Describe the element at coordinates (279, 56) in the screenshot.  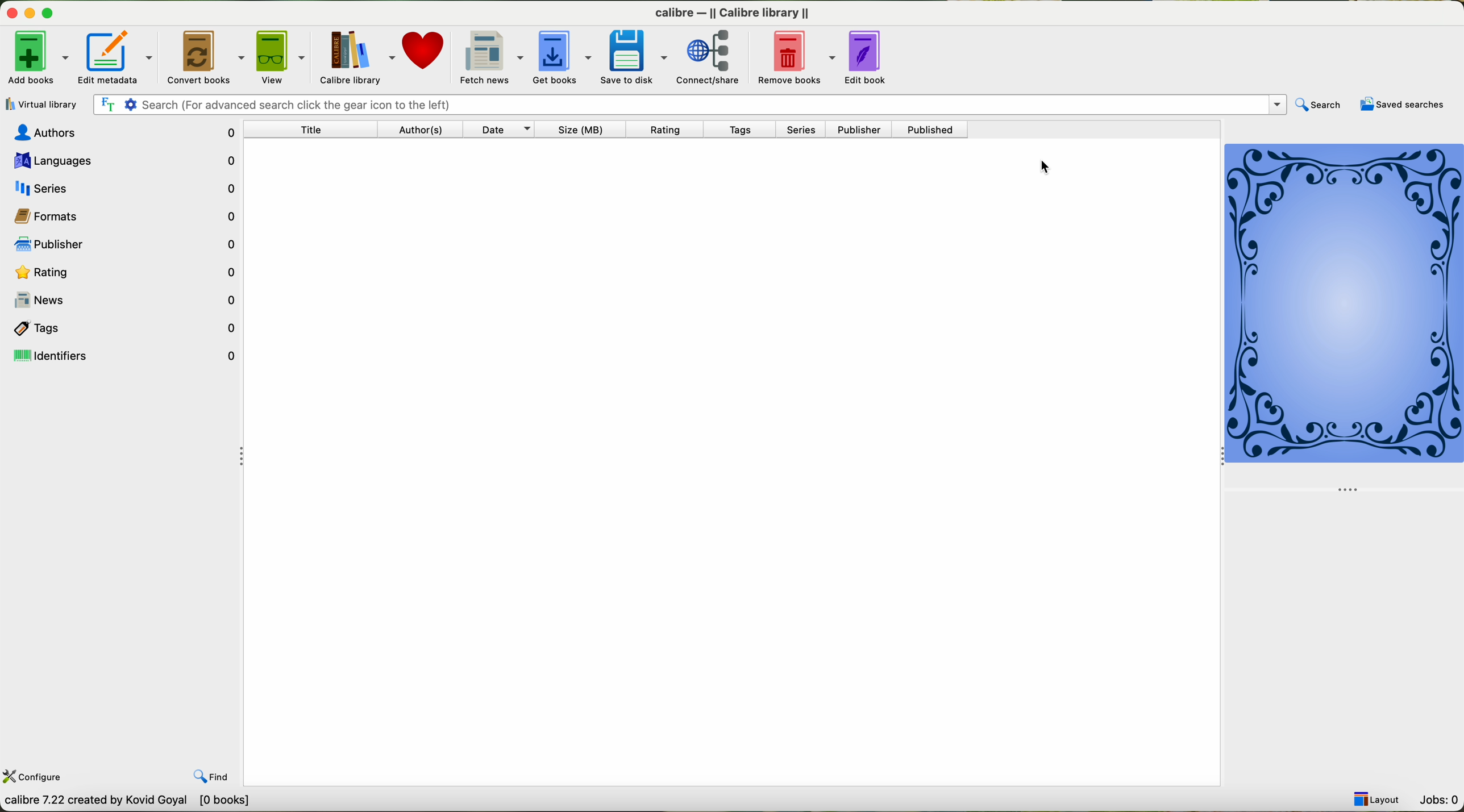
I see `view` at that location.